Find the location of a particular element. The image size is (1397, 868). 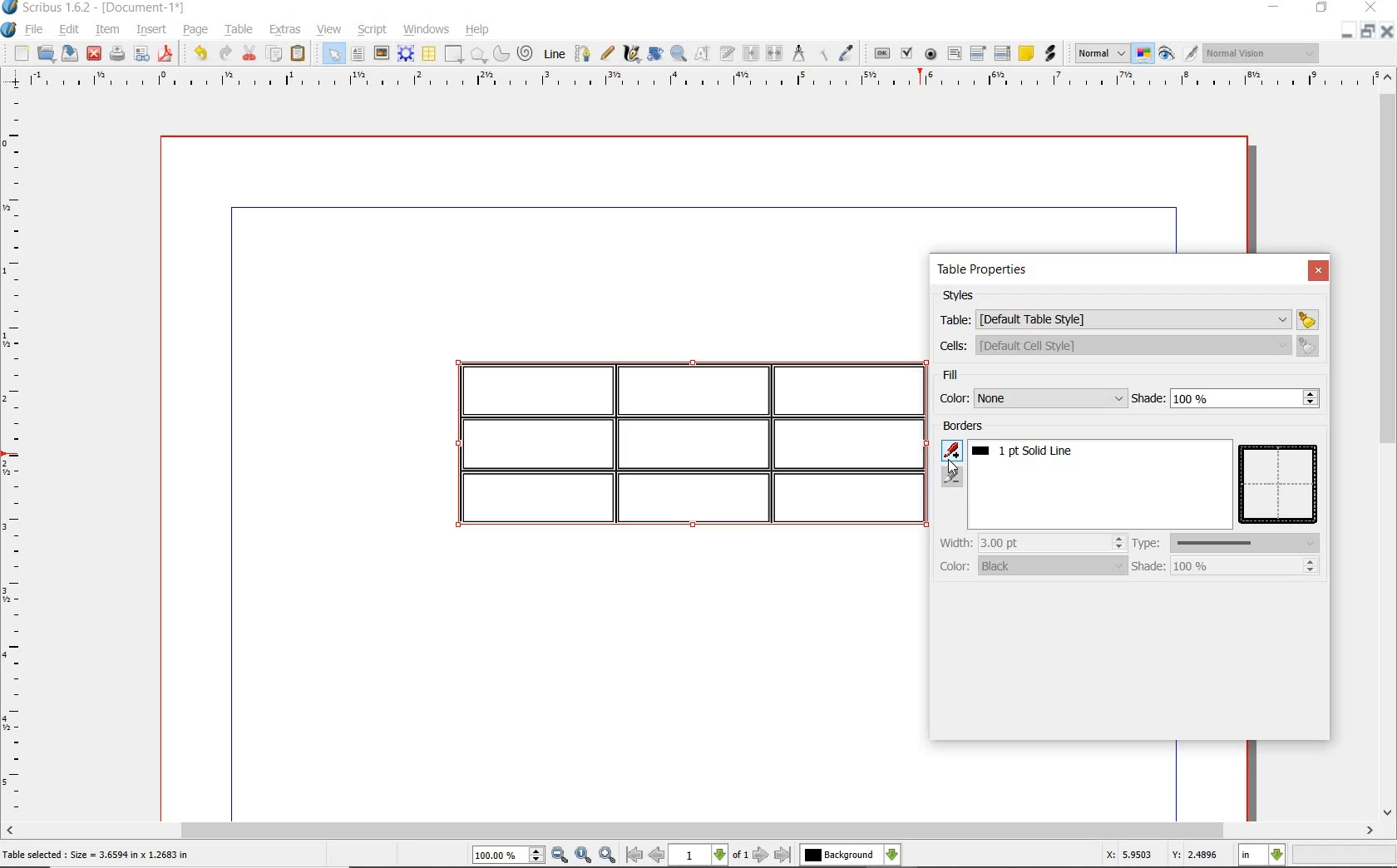

arc is located at coordinates (502, 54).